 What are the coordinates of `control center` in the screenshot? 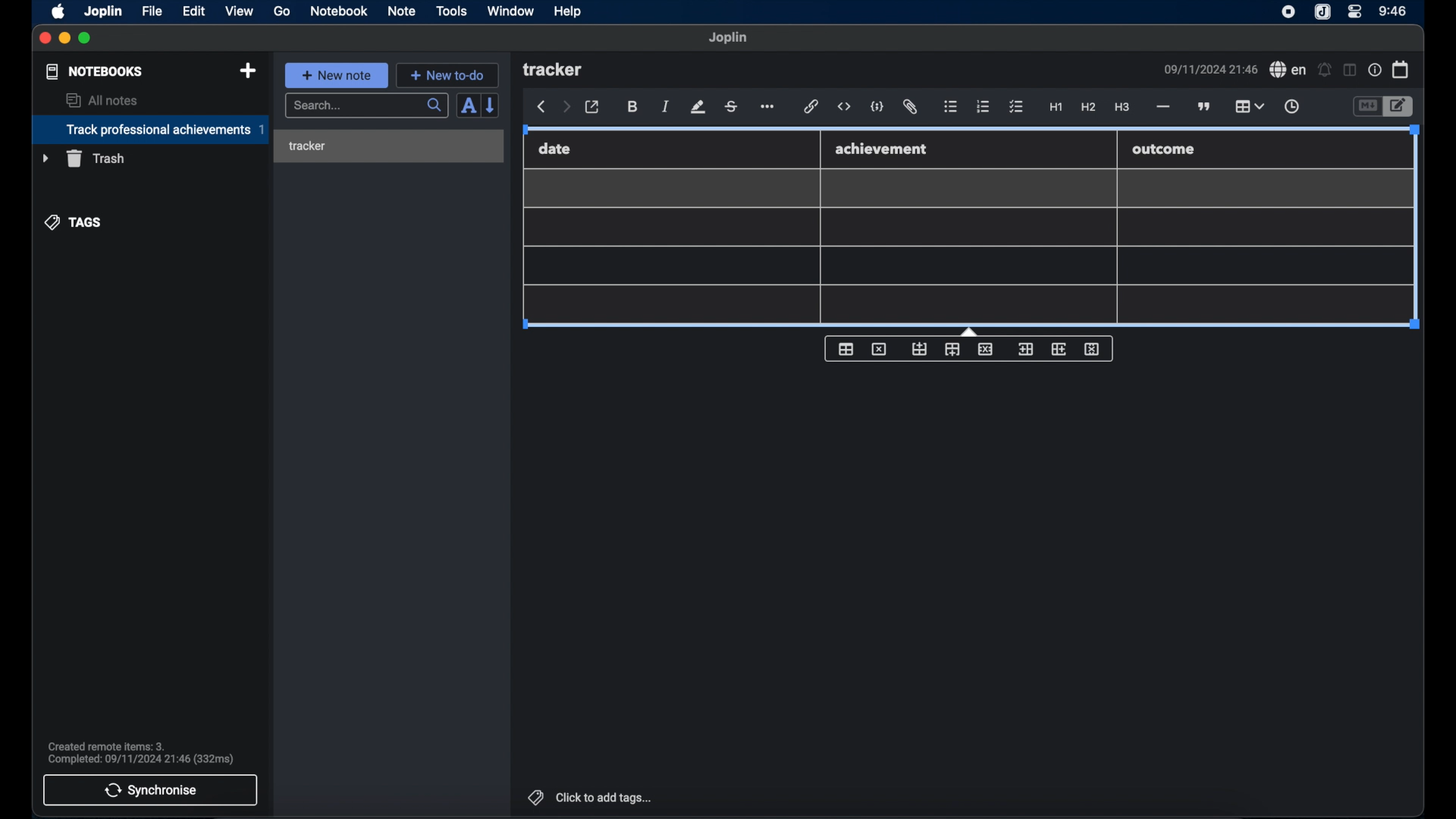 It's located at (1355, 12).